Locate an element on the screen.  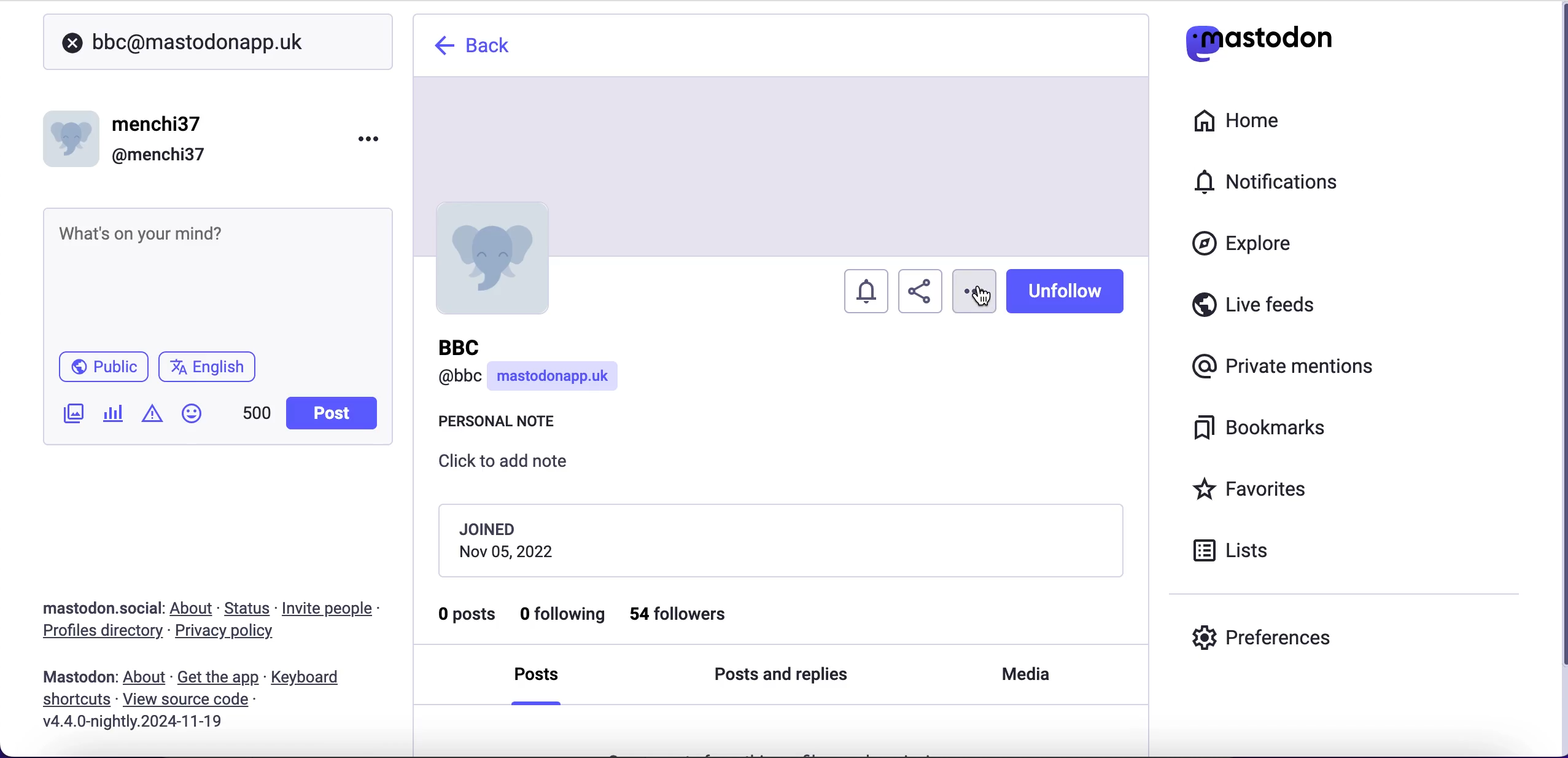
notifications is located at coordinates (1272, 181).